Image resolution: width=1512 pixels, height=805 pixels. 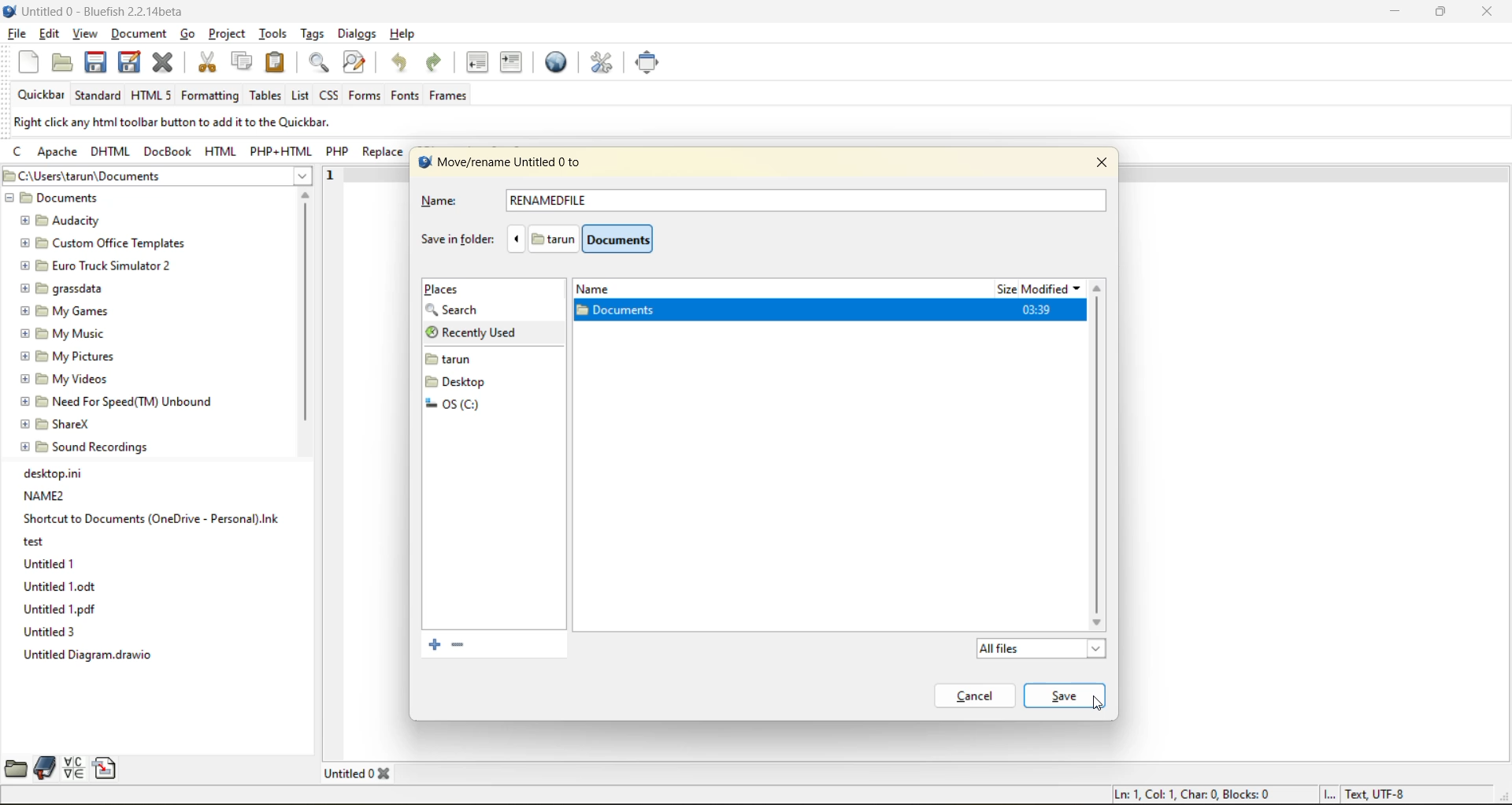 What do you see at coordinates (98, 244) in the screenshot?
I see `Custom Office Templates` at bounding box center [98, 244].